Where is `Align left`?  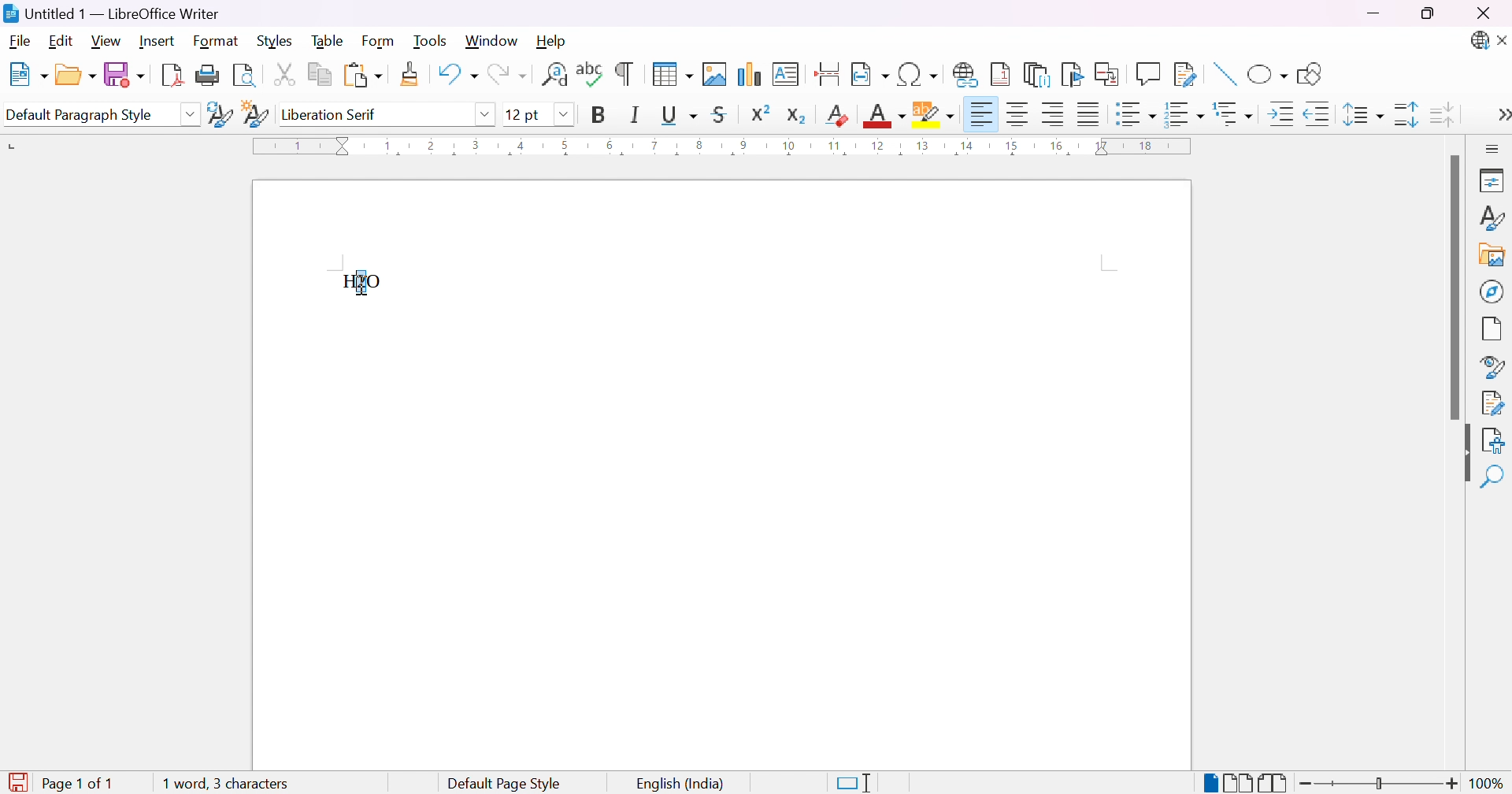
Align left is located at coordinates (981, 116).